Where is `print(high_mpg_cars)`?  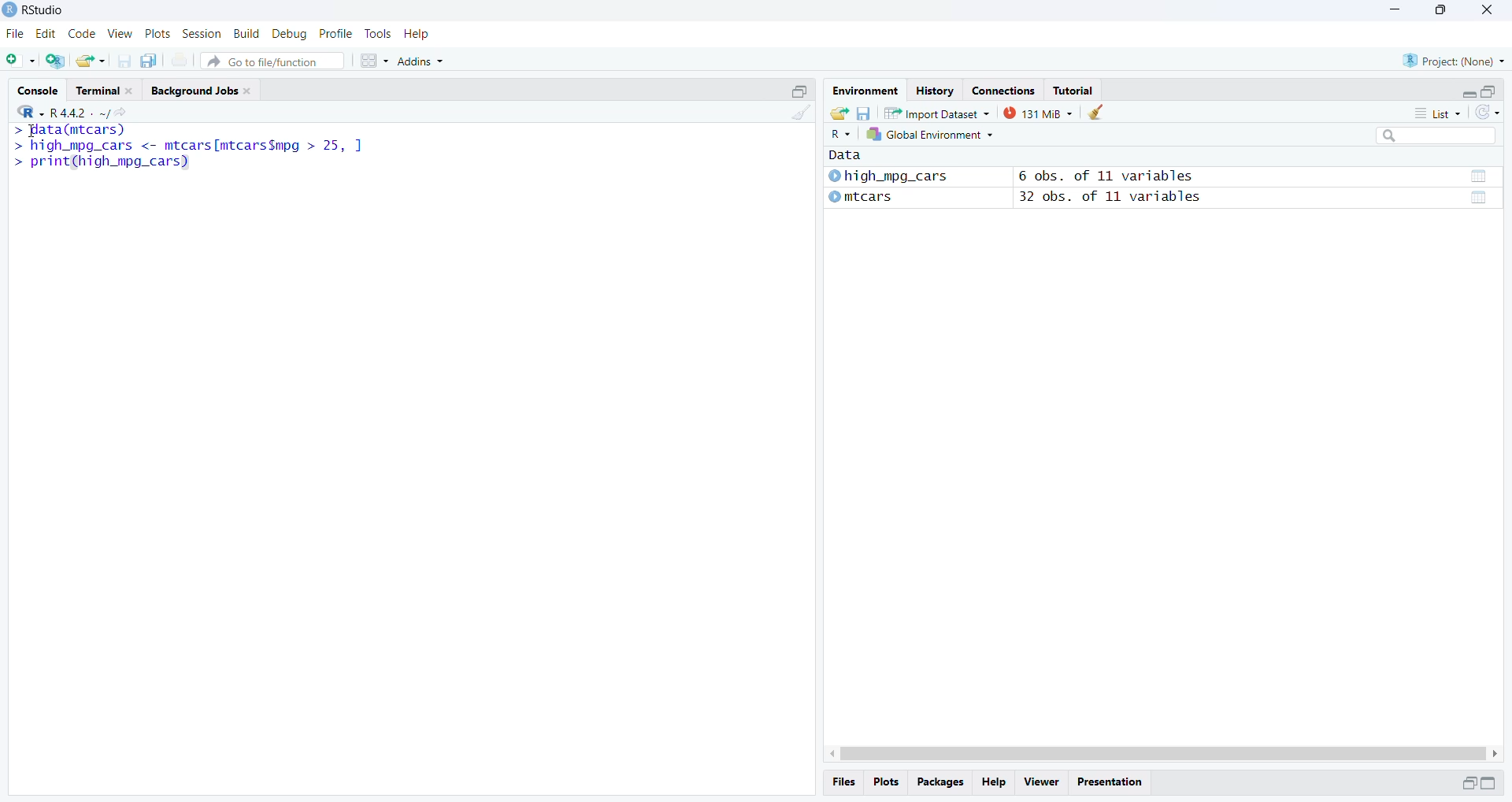 print(high_mpg_cars) is located at coordinates (102, 162).